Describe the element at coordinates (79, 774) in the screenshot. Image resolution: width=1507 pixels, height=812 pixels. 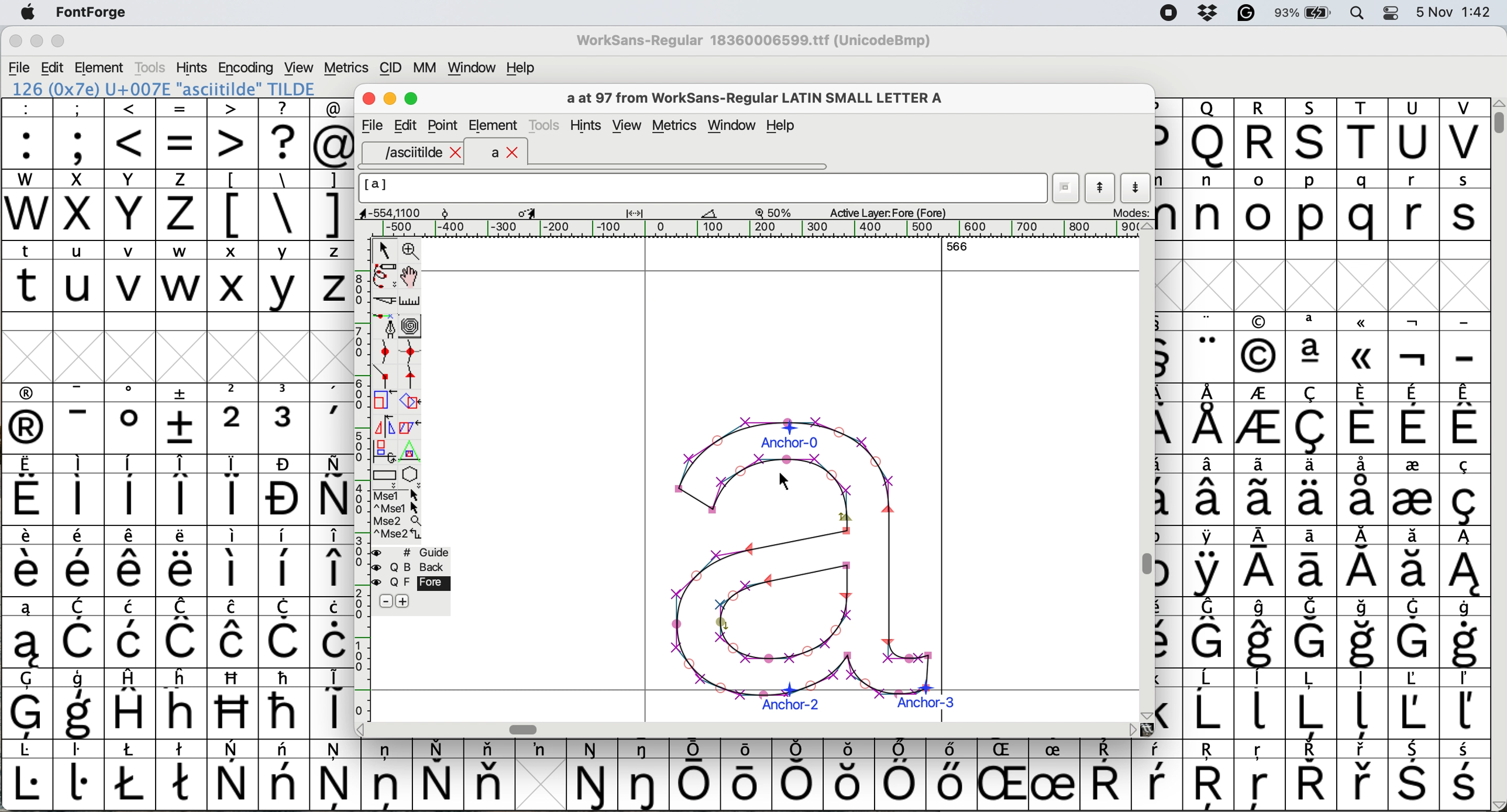
I see `symbol` at that location.